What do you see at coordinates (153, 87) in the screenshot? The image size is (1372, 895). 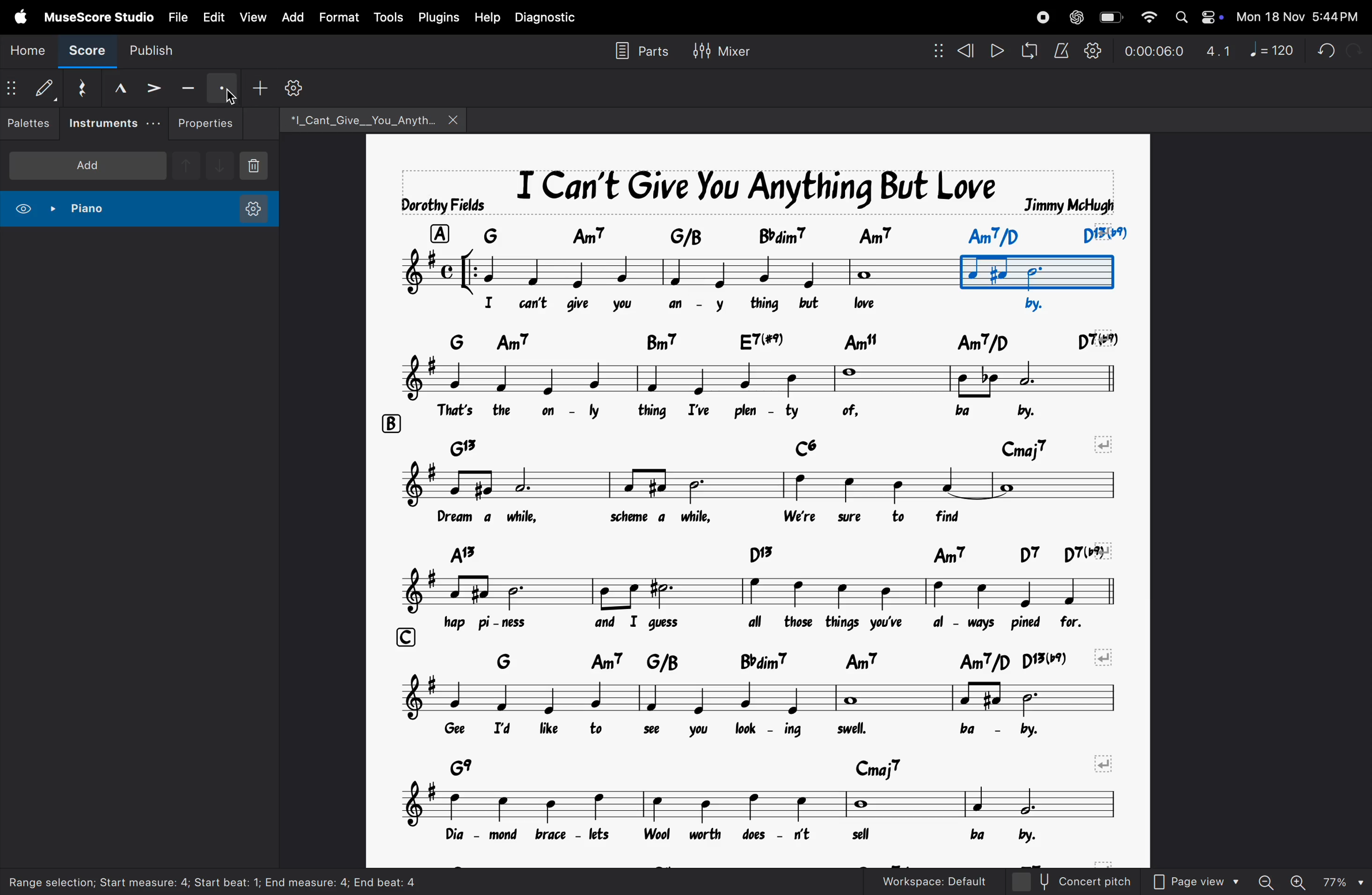 I see `accent` at bounding box center [153, 87].